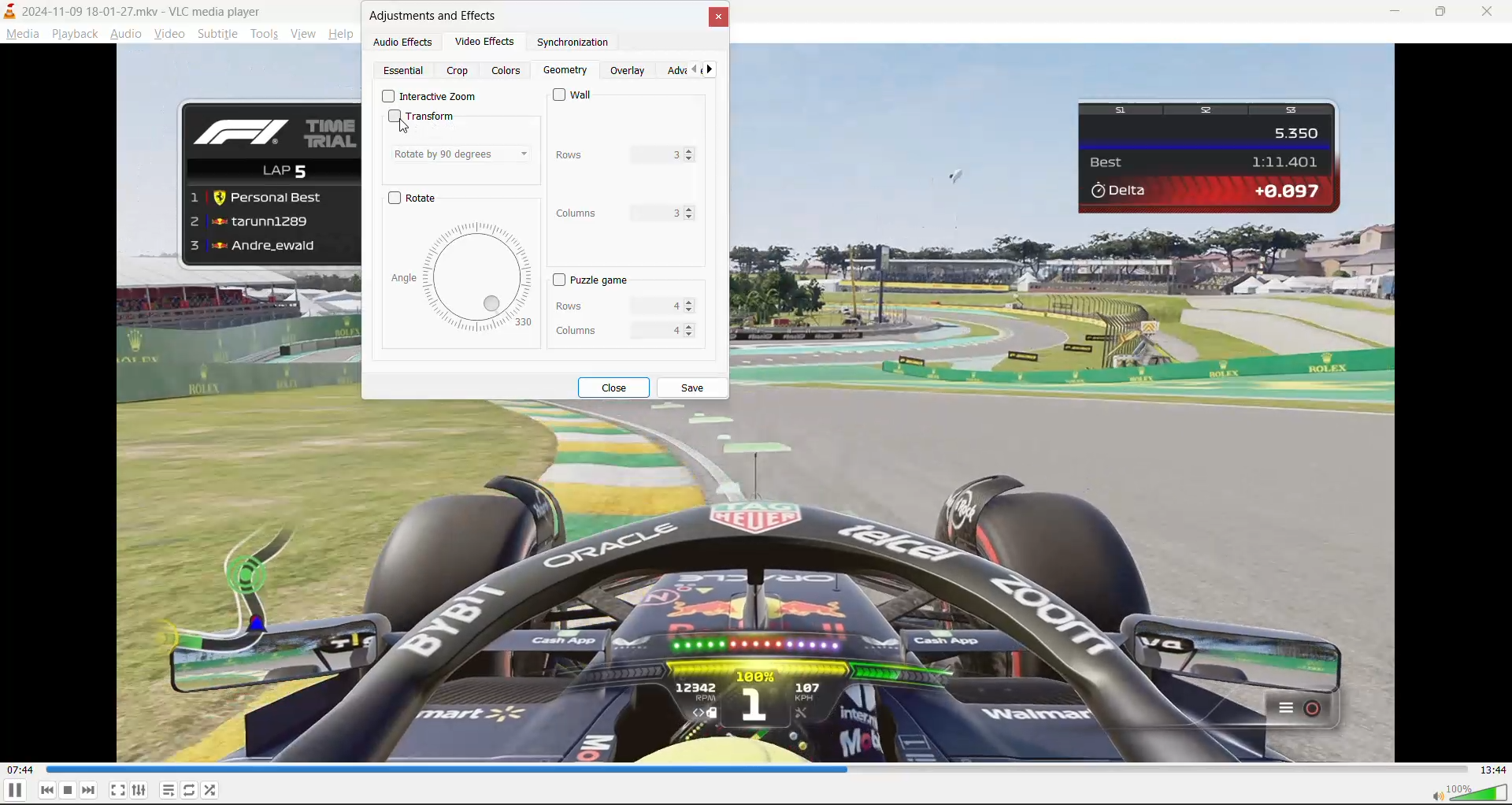 This screenshot has height=805, width=1512. Describe the element at coordinates (691, 150) in the screenshot. I see `increase` at that location.